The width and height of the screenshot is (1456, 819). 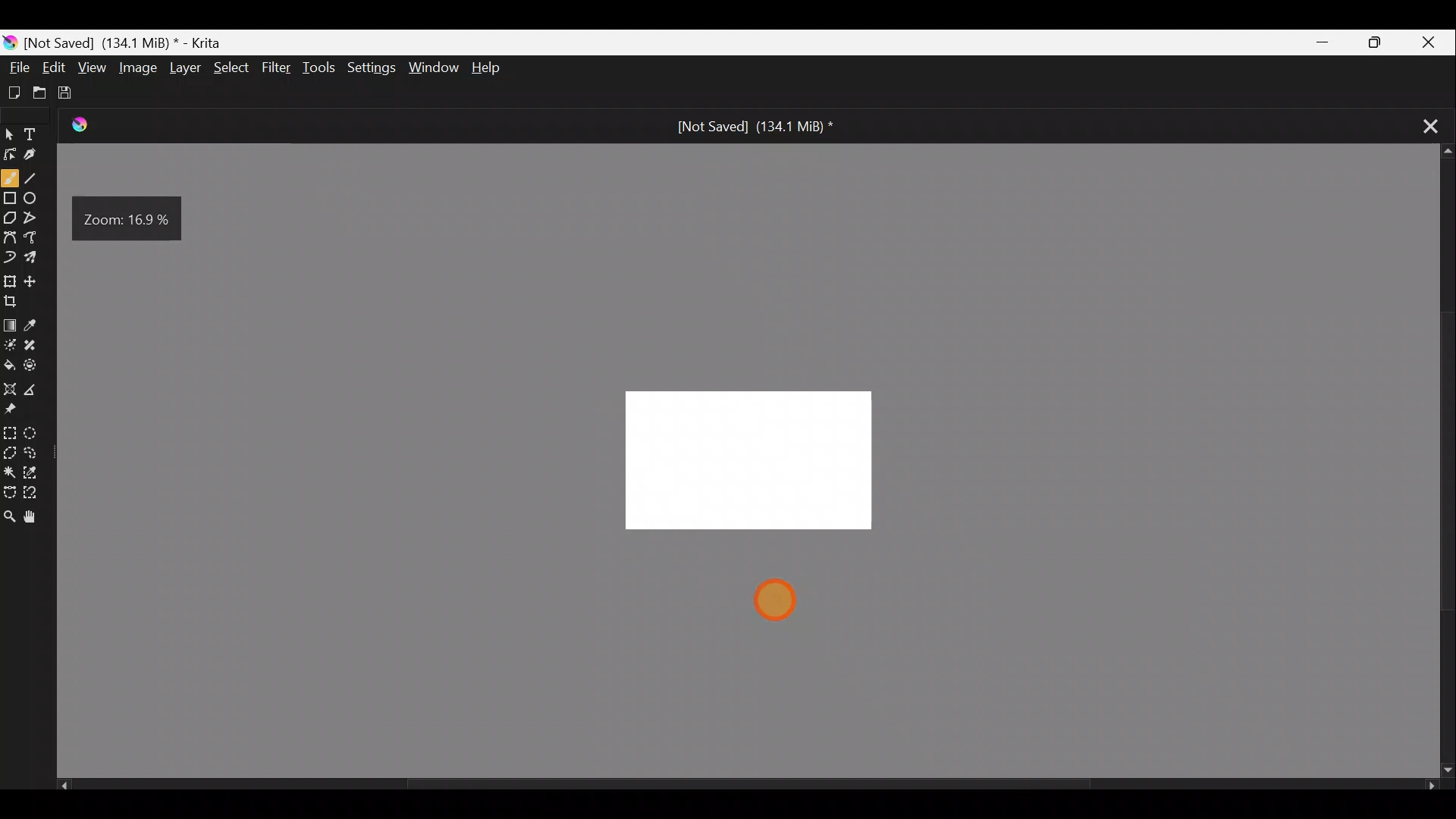 I want to click on Measure the distance between two points, so click(x=35, y=391).